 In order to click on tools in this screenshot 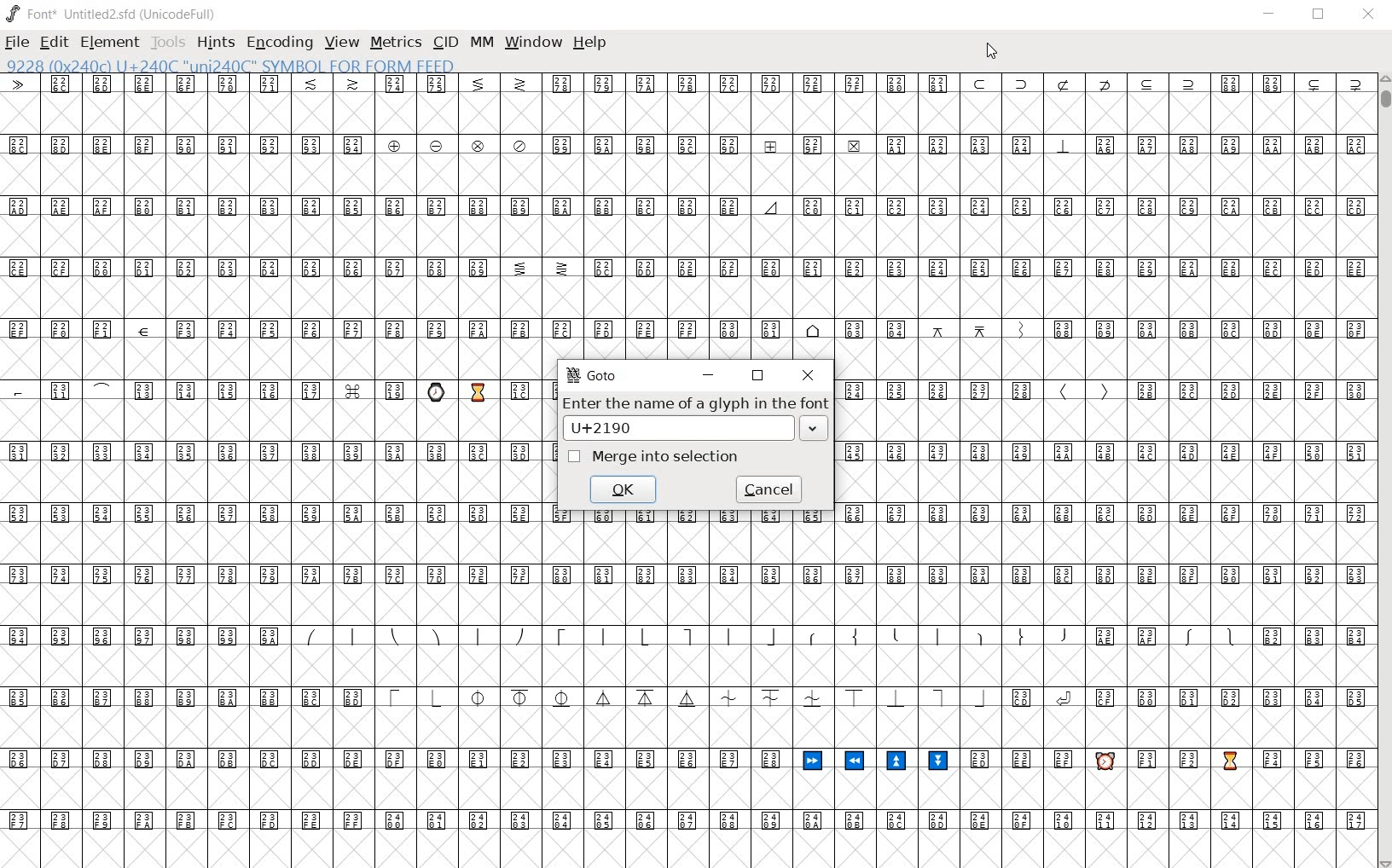, I will do `click(167, 44)`.